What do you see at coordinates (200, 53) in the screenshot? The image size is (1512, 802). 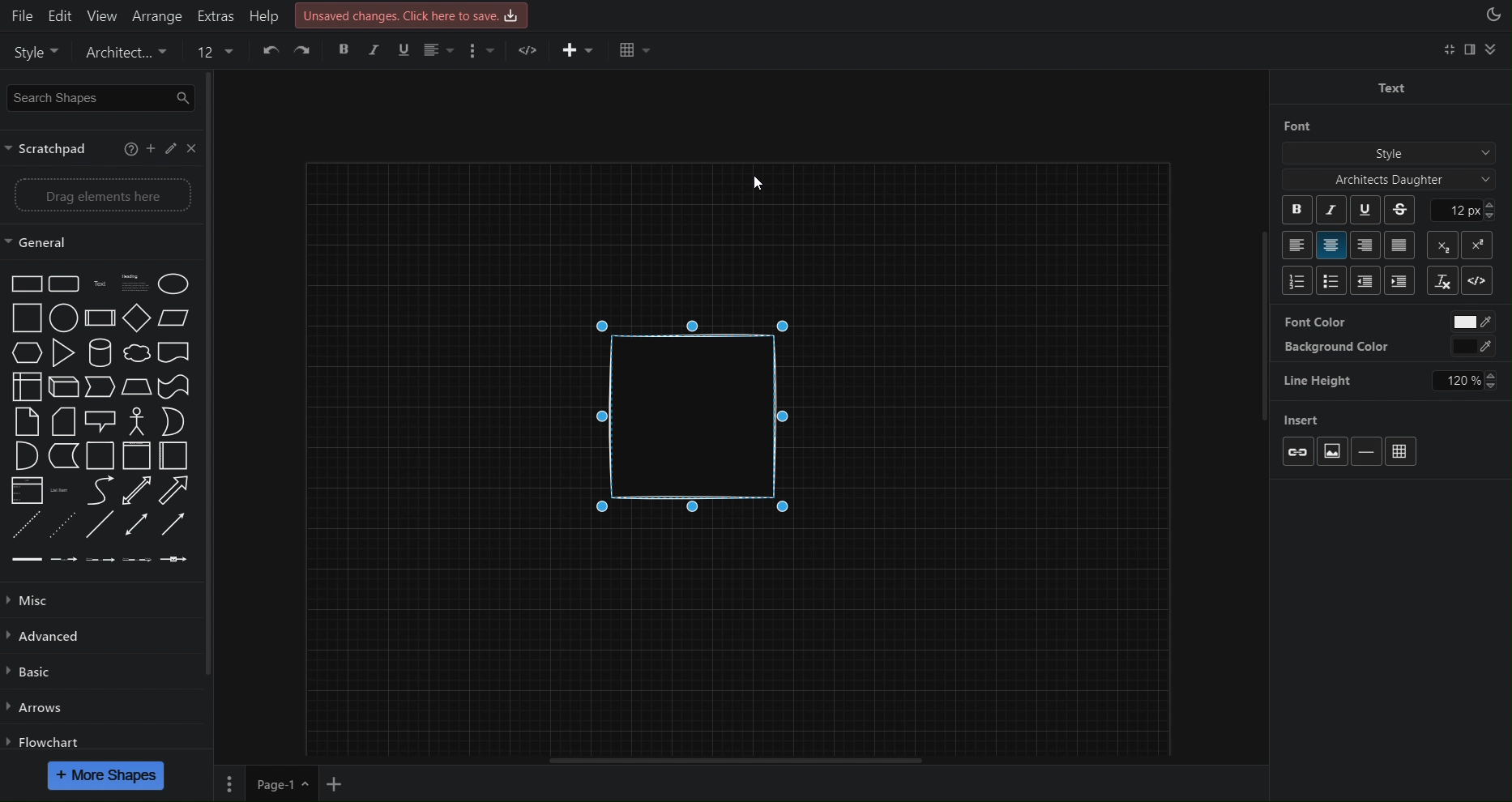 I see `Zoom Out` at bounding box center [200, 53].